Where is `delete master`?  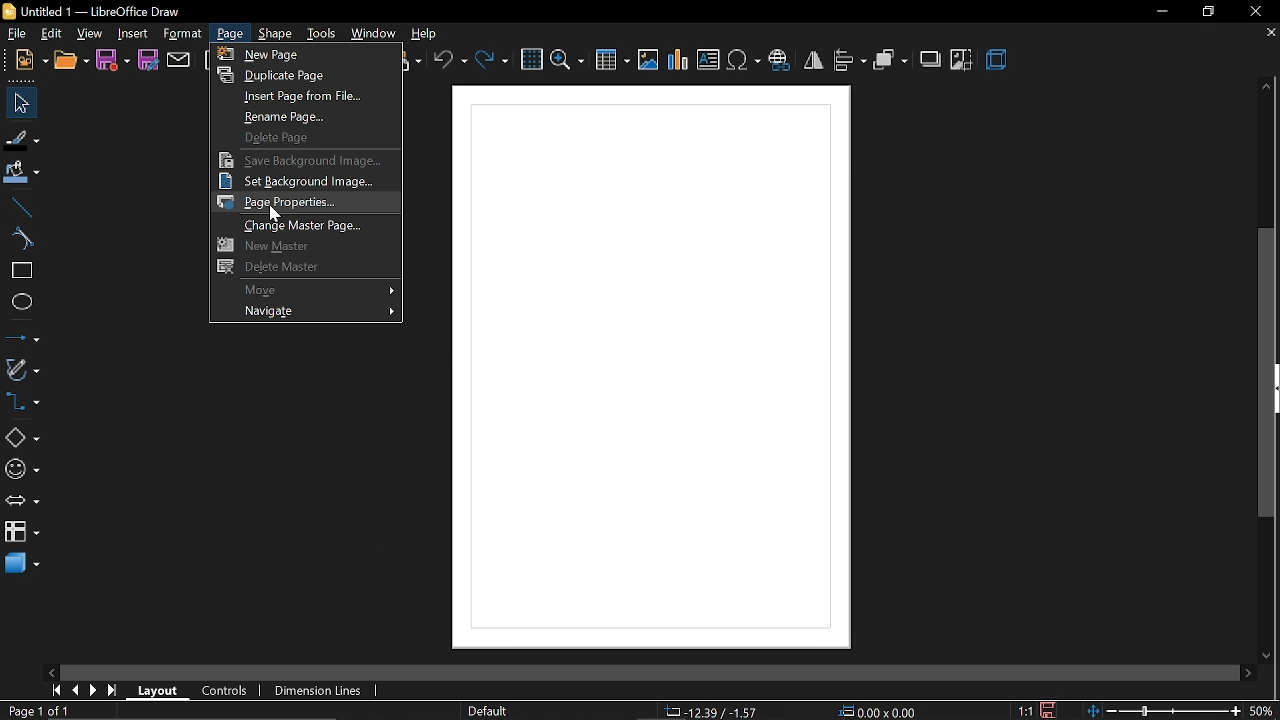 delete master is located at coordinates (300, 267).